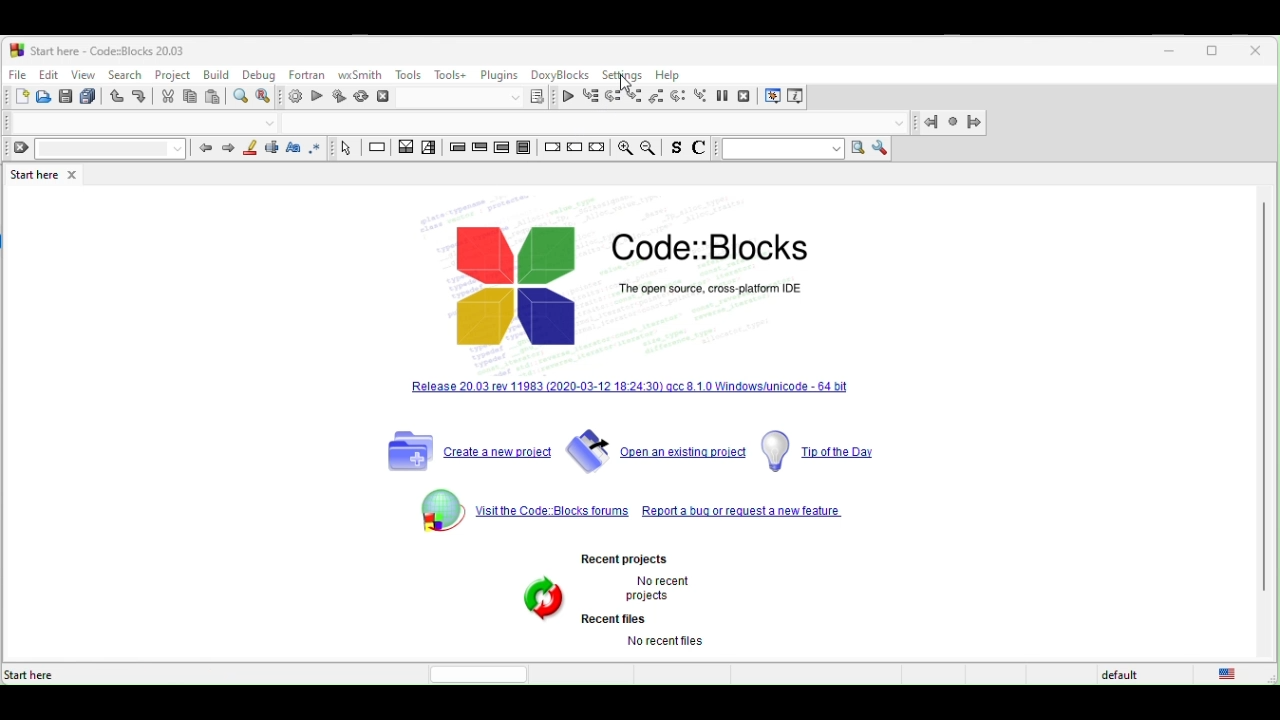 This screenshot has height=720, width=1280. Describe the element at coordinates (260, 75) in the screenshot. I see `debug` at that location.